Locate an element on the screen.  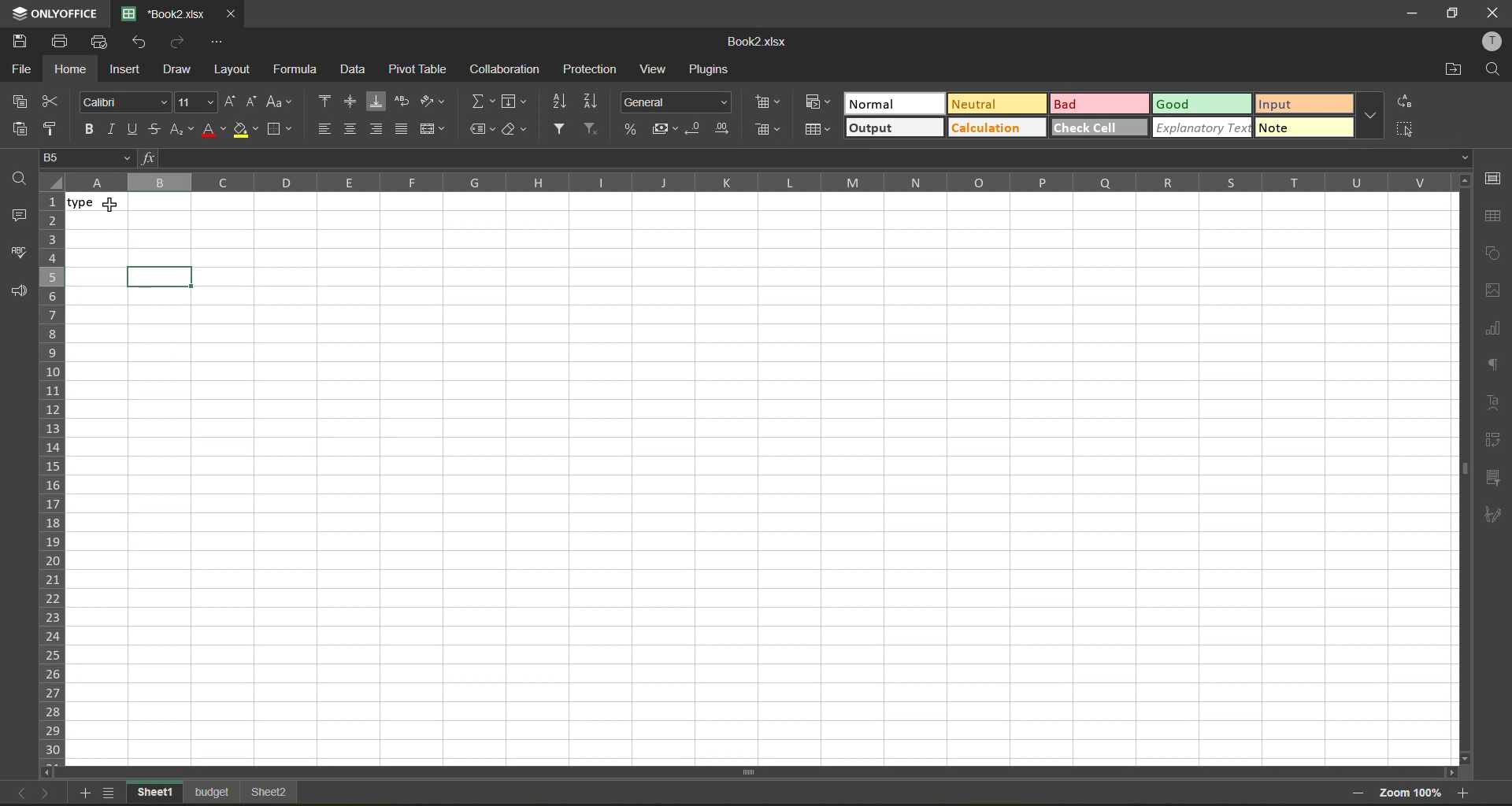
customize quick access toolbar is located at coordinates (215, 39).